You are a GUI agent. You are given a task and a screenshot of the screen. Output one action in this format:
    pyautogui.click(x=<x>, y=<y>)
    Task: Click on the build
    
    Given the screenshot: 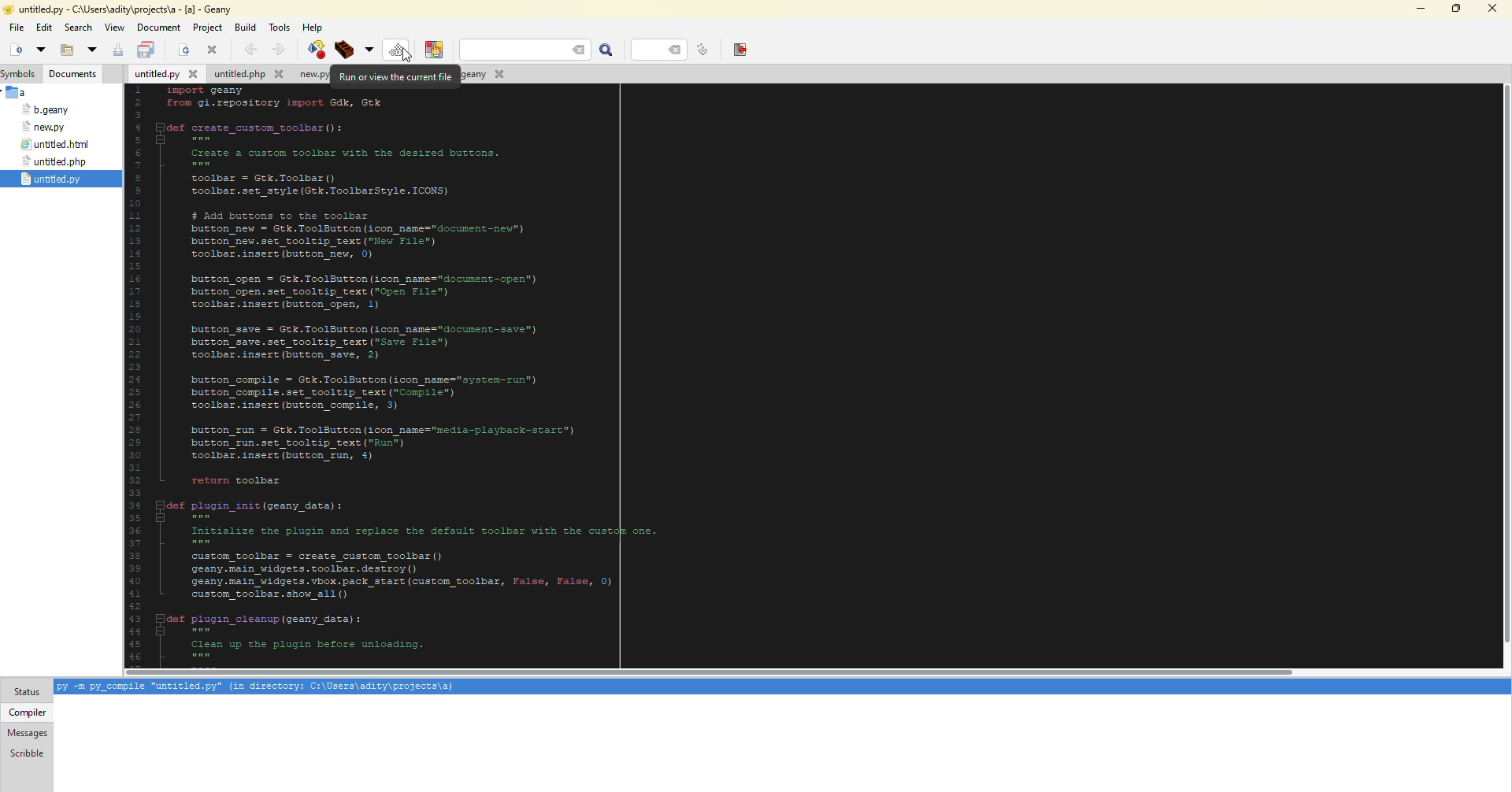 What is the action you would take?
    pyautogui.click(x=353, y=49)
    